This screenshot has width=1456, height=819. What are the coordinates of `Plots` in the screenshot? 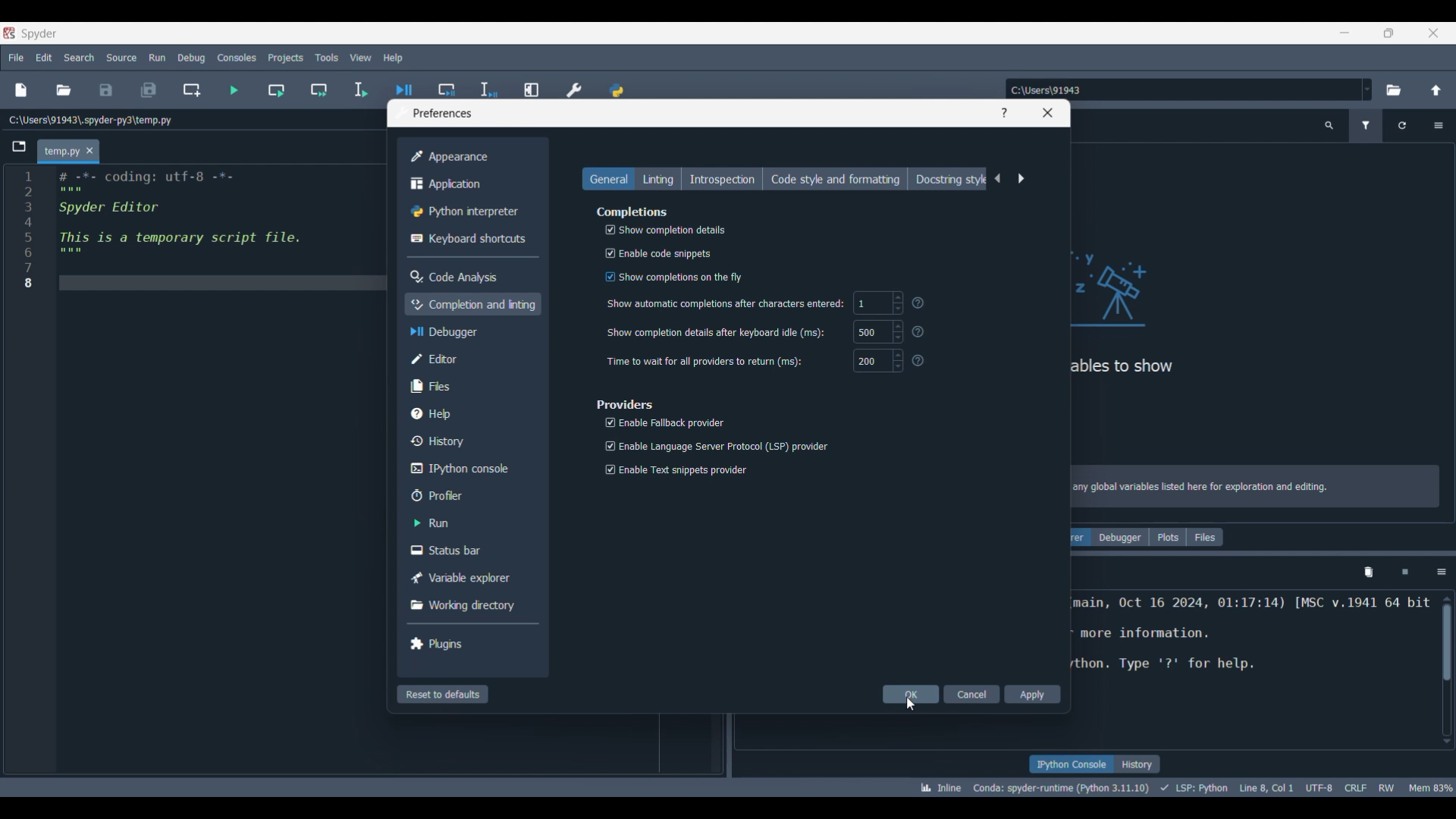 It's located at (1168, 537).